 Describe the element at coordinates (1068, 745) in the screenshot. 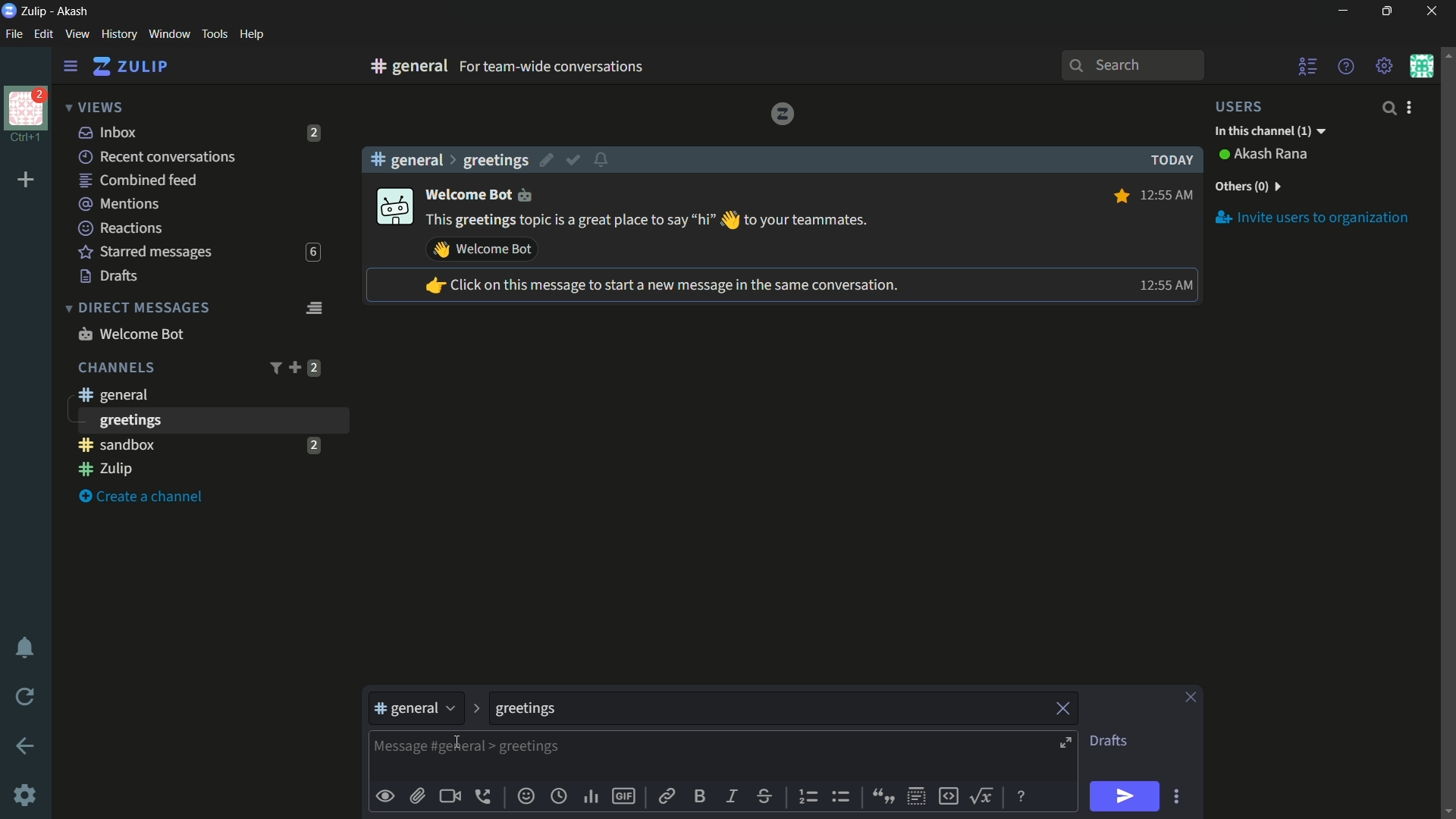

I see `expand` at that location.